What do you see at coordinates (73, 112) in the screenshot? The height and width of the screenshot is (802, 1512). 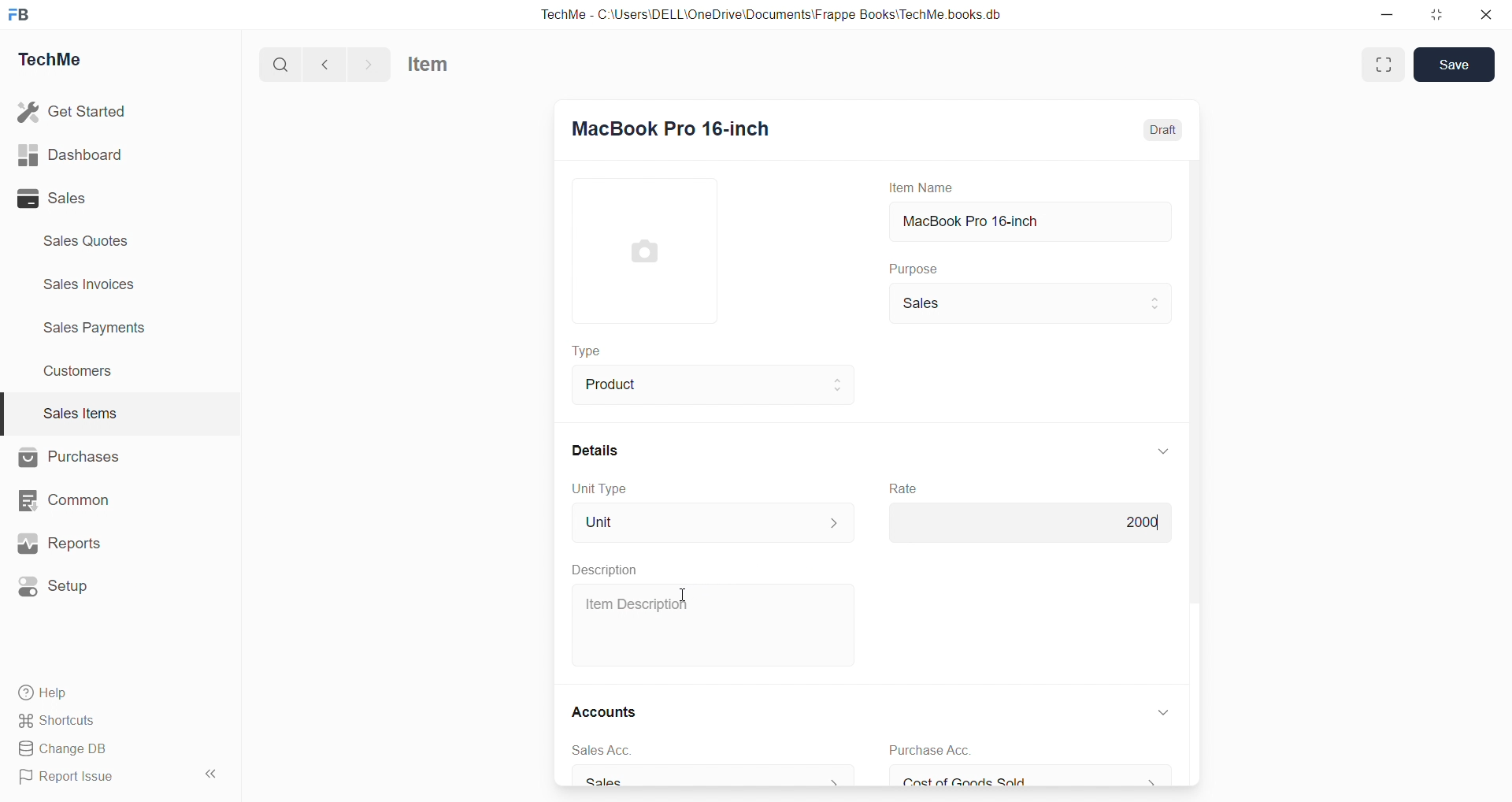 I see `Get Started` at bounding box center [73, 112].